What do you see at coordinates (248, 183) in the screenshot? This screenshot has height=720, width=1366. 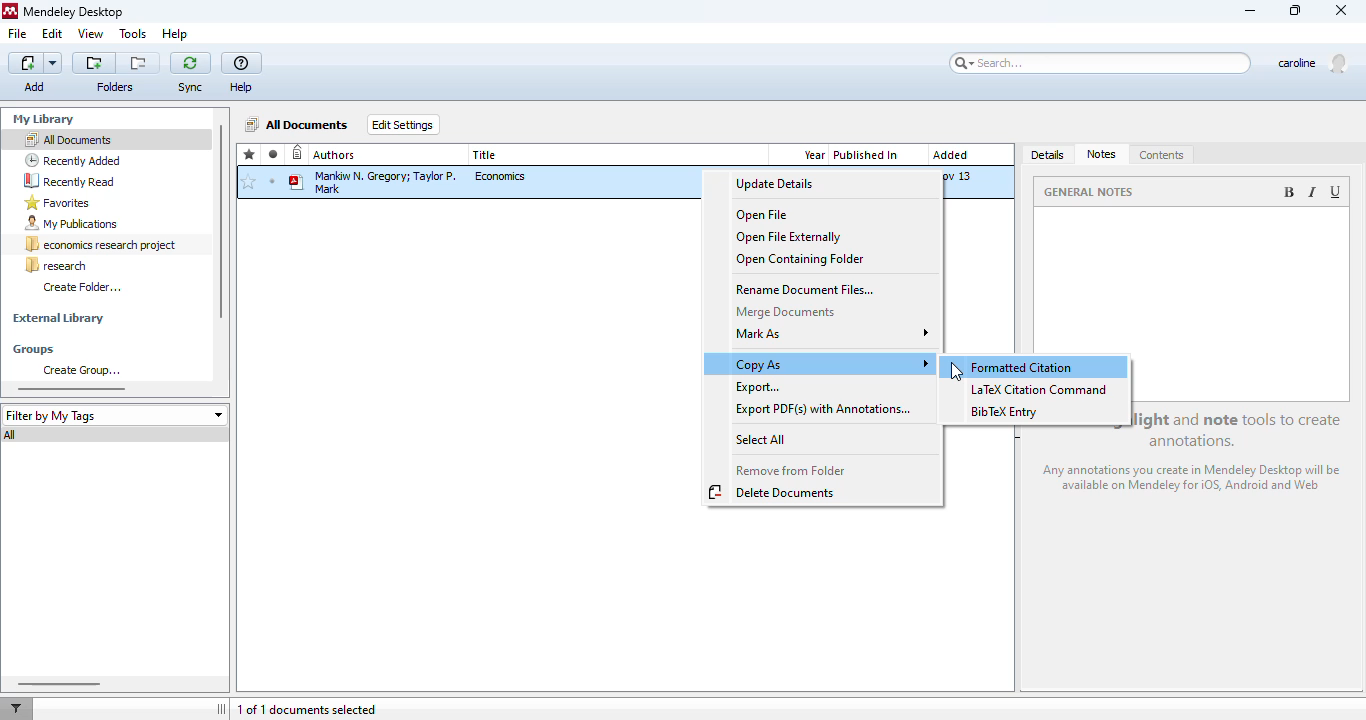 I see `add to favorites` at bounding box center [248, 183].